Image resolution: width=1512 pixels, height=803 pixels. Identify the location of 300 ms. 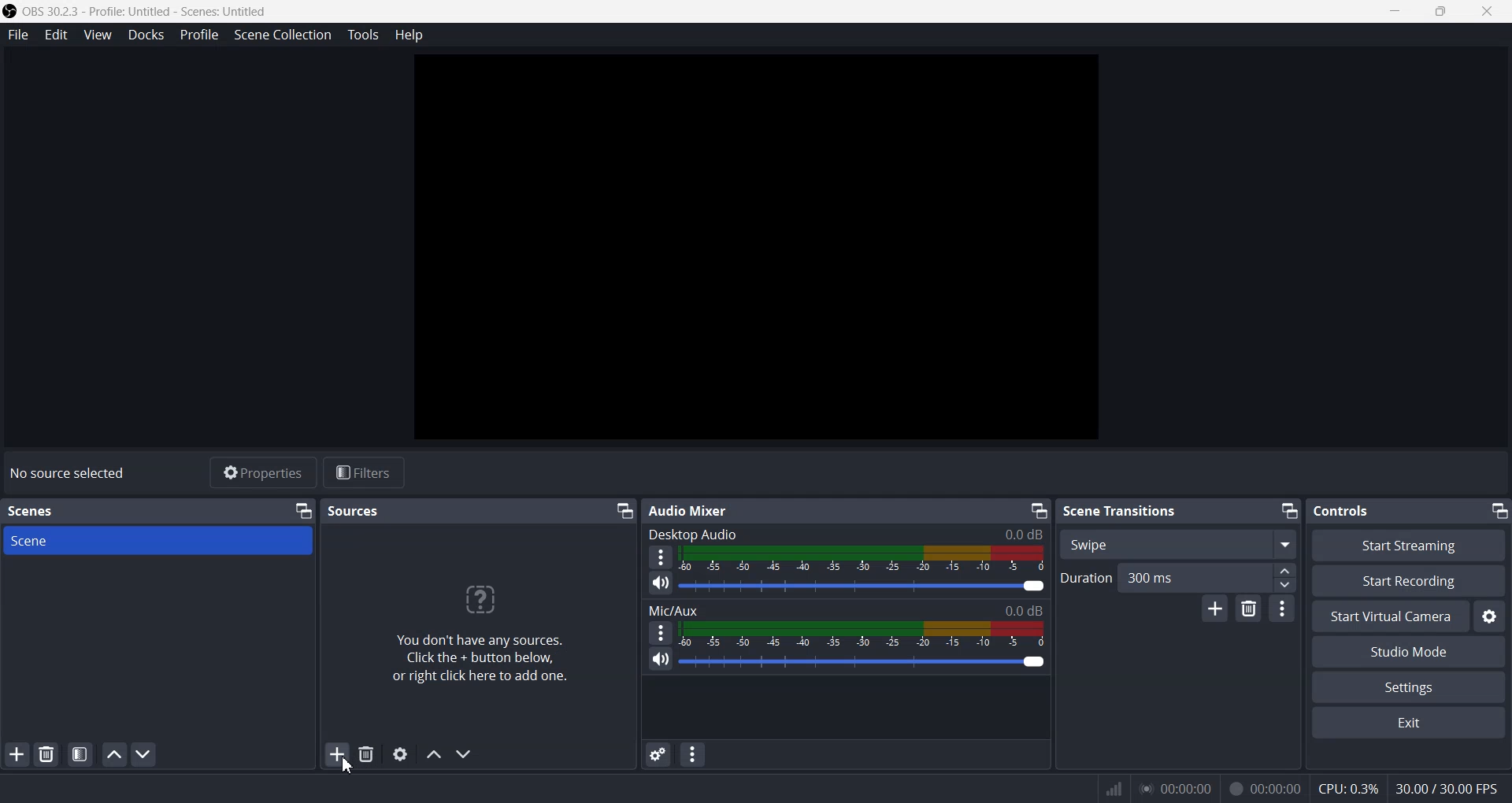
(1210, 576).